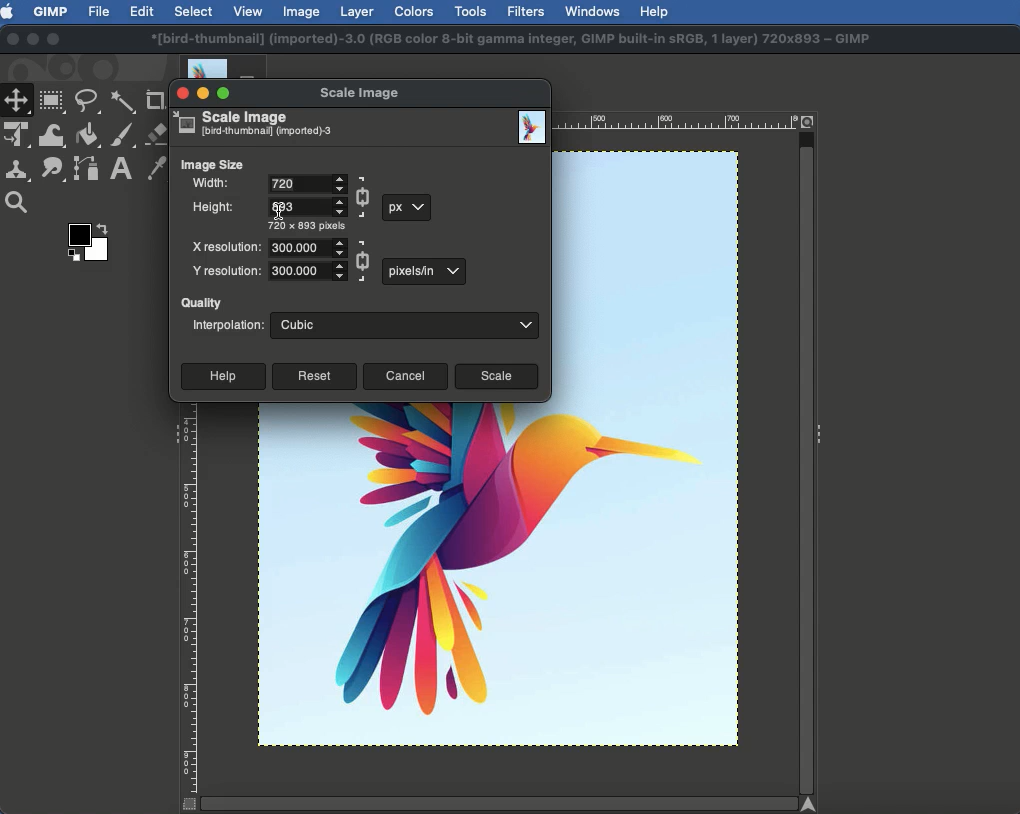 The height and width of the screenshot is (814, 1020). What do you see at coordinates (529, 123) in the screenshot?
I see `Image` at bounding box center [529, 123].